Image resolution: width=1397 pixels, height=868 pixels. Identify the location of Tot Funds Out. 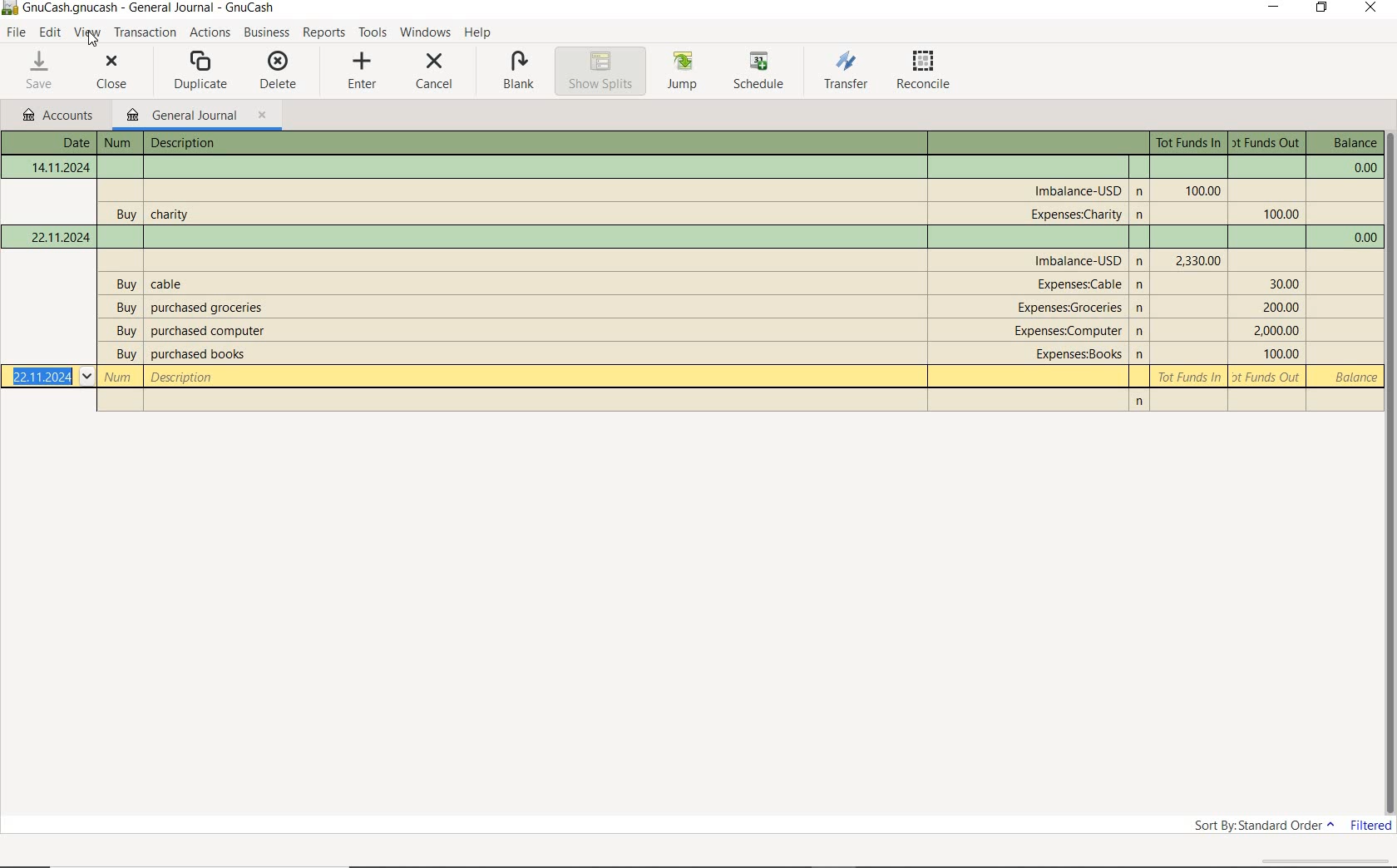
(1283, 284).